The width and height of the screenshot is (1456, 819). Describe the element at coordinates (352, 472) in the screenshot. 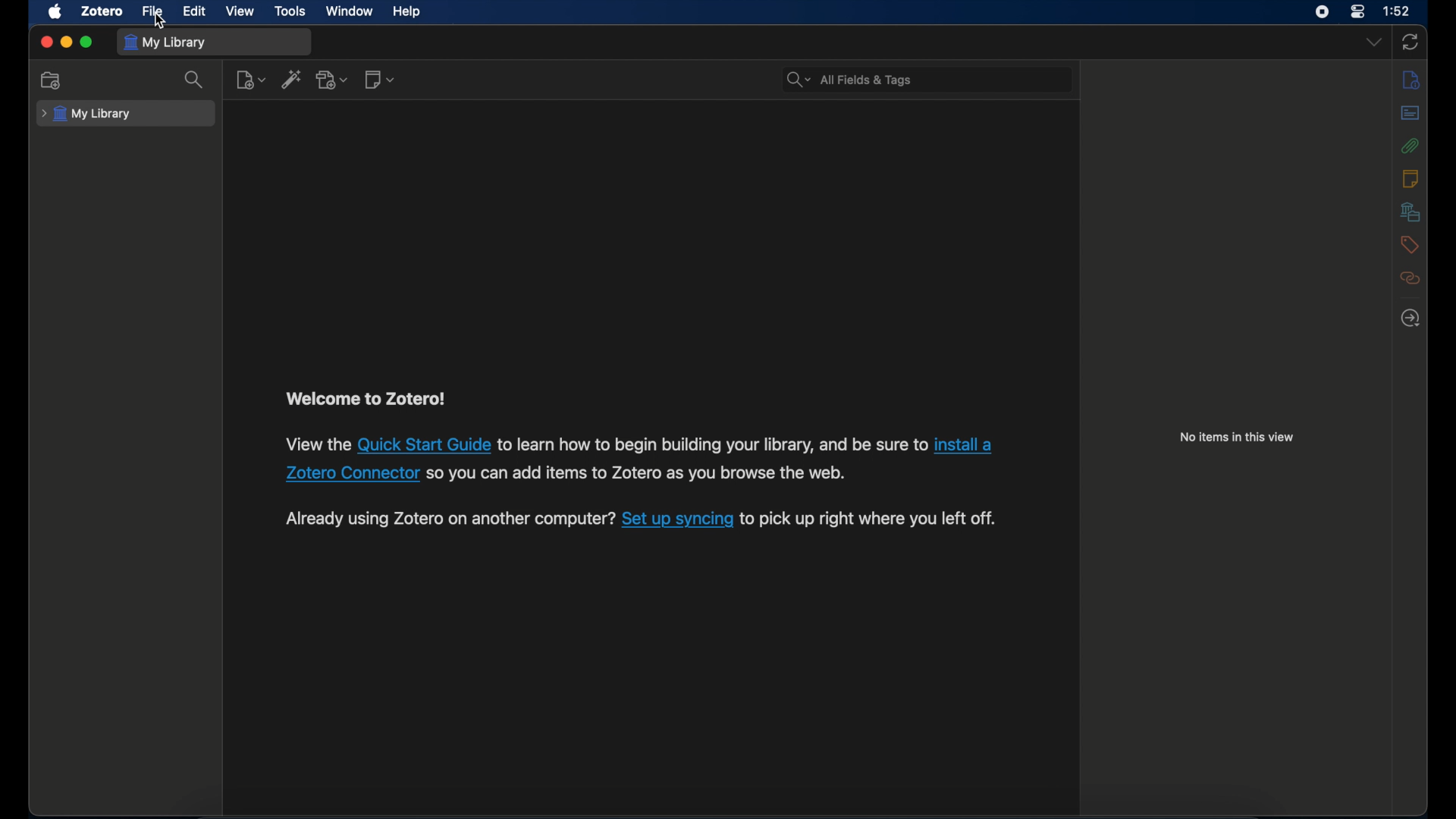

I see `Zotero Connector` at that location.